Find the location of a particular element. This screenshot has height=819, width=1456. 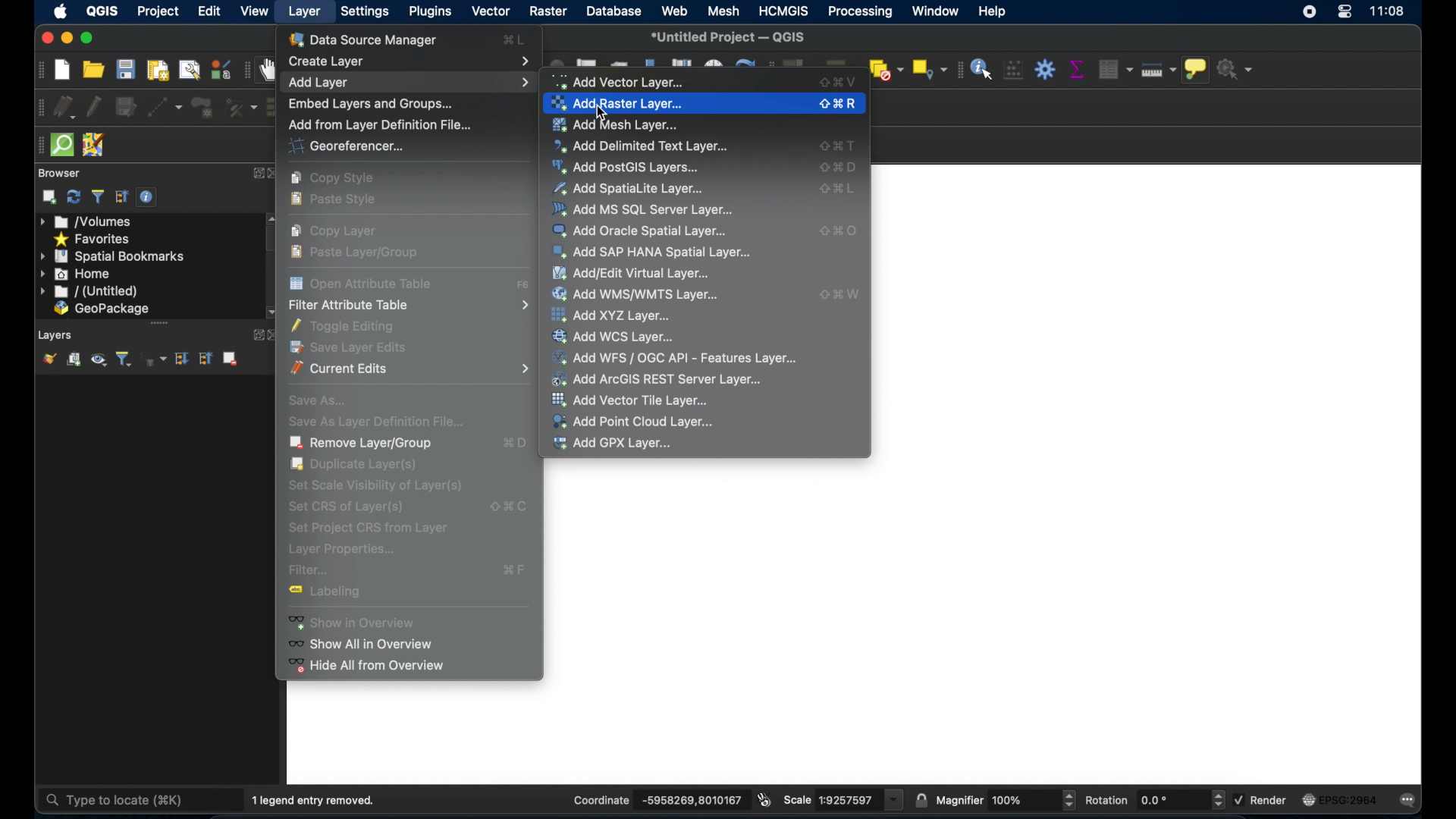

quicksom is located at coordinates (62, 145).